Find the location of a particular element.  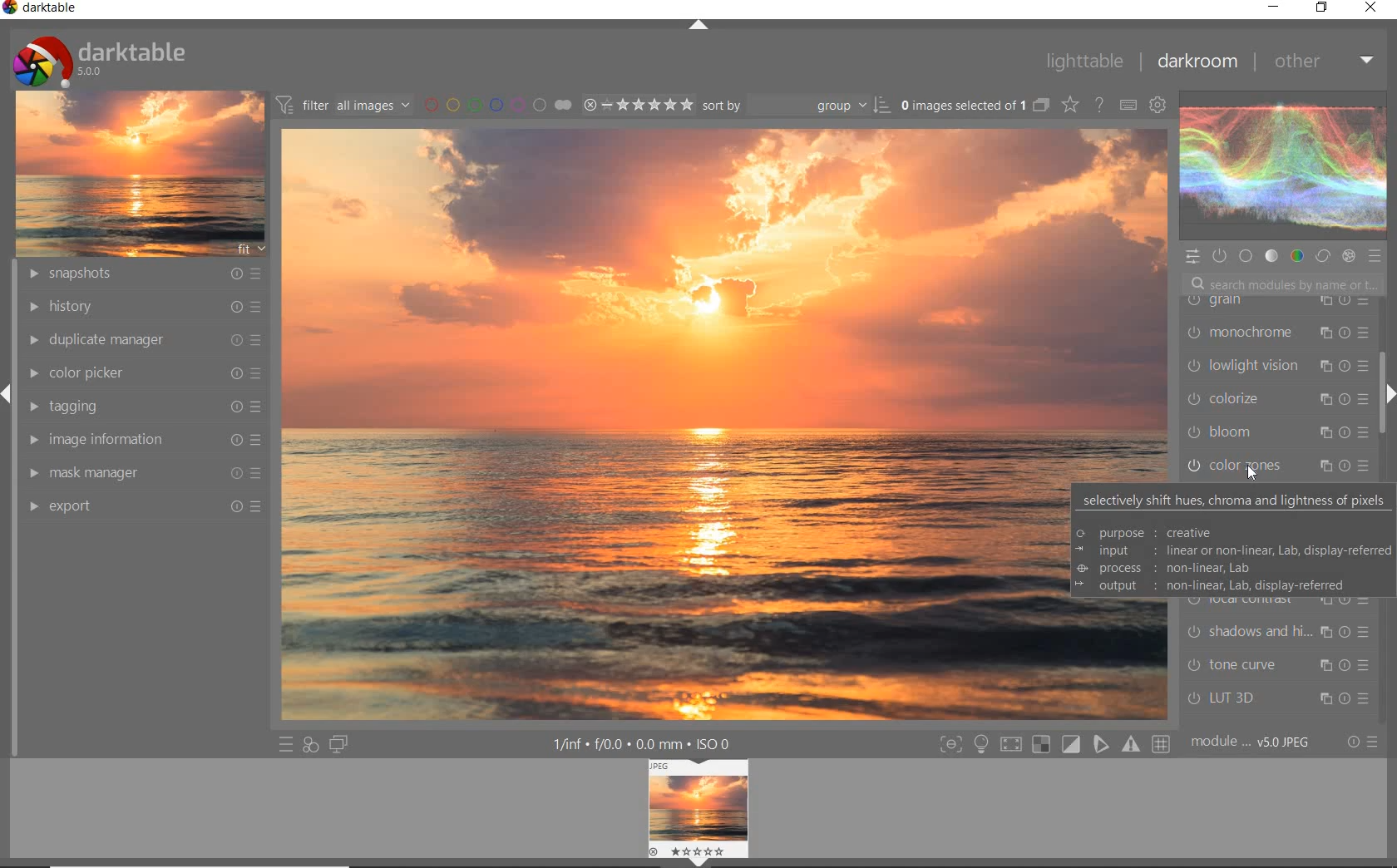

SEARCH MODULES is located at coordinates (1284, 284).